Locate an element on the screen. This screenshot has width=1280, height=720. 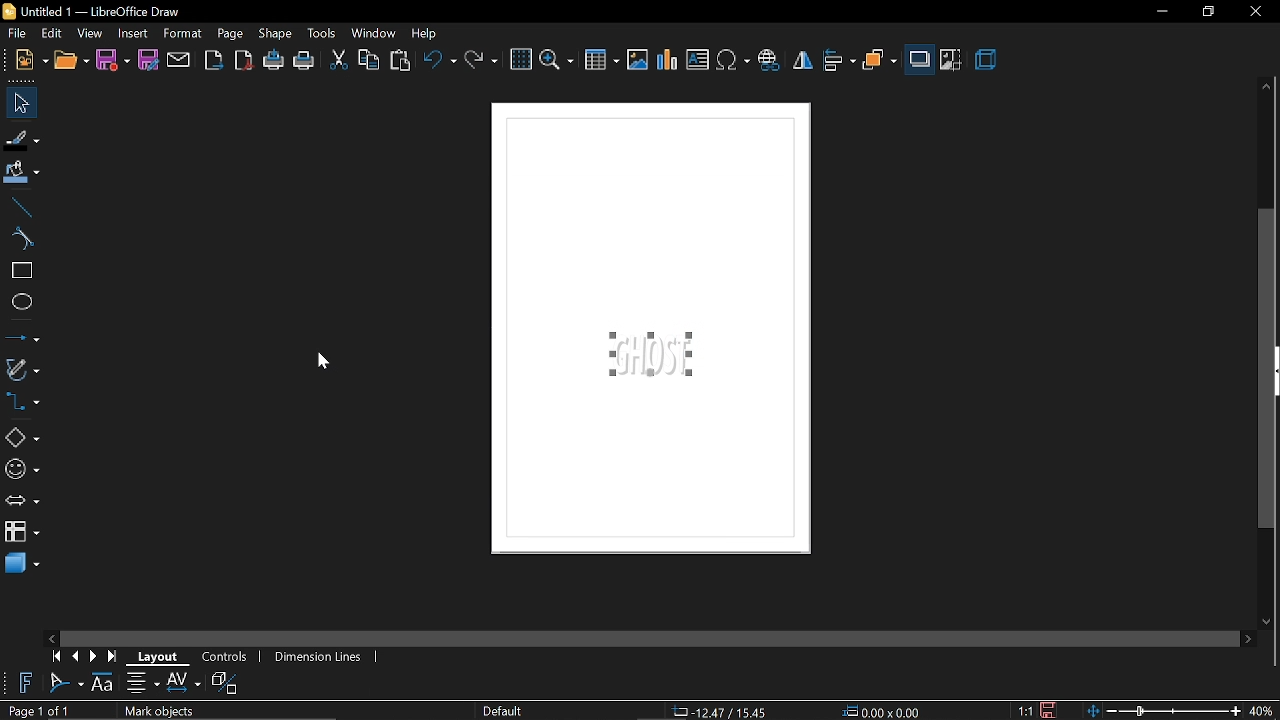
paste is located at coordinates (402, 60).